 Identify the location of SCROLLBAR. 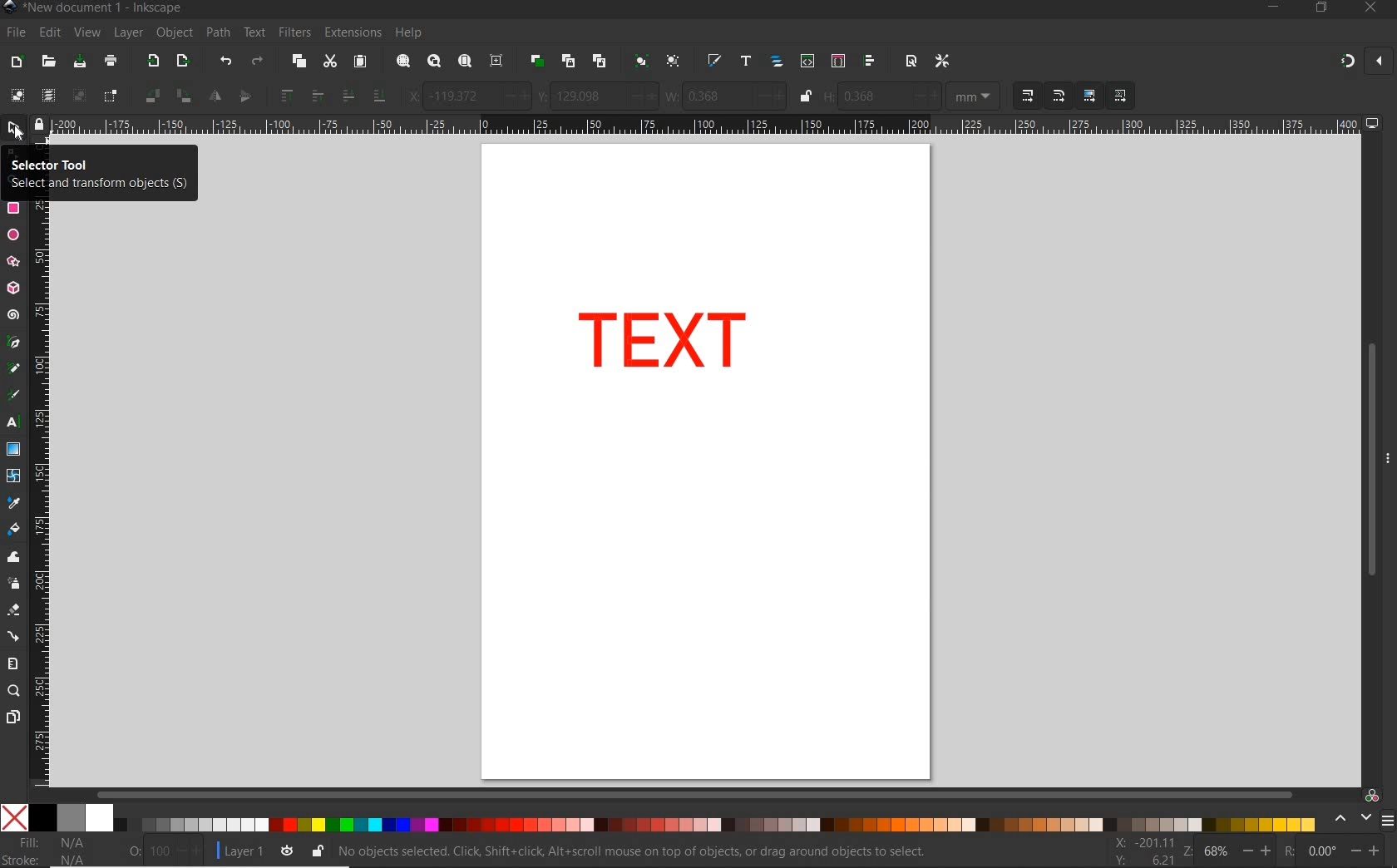
(692, 792).